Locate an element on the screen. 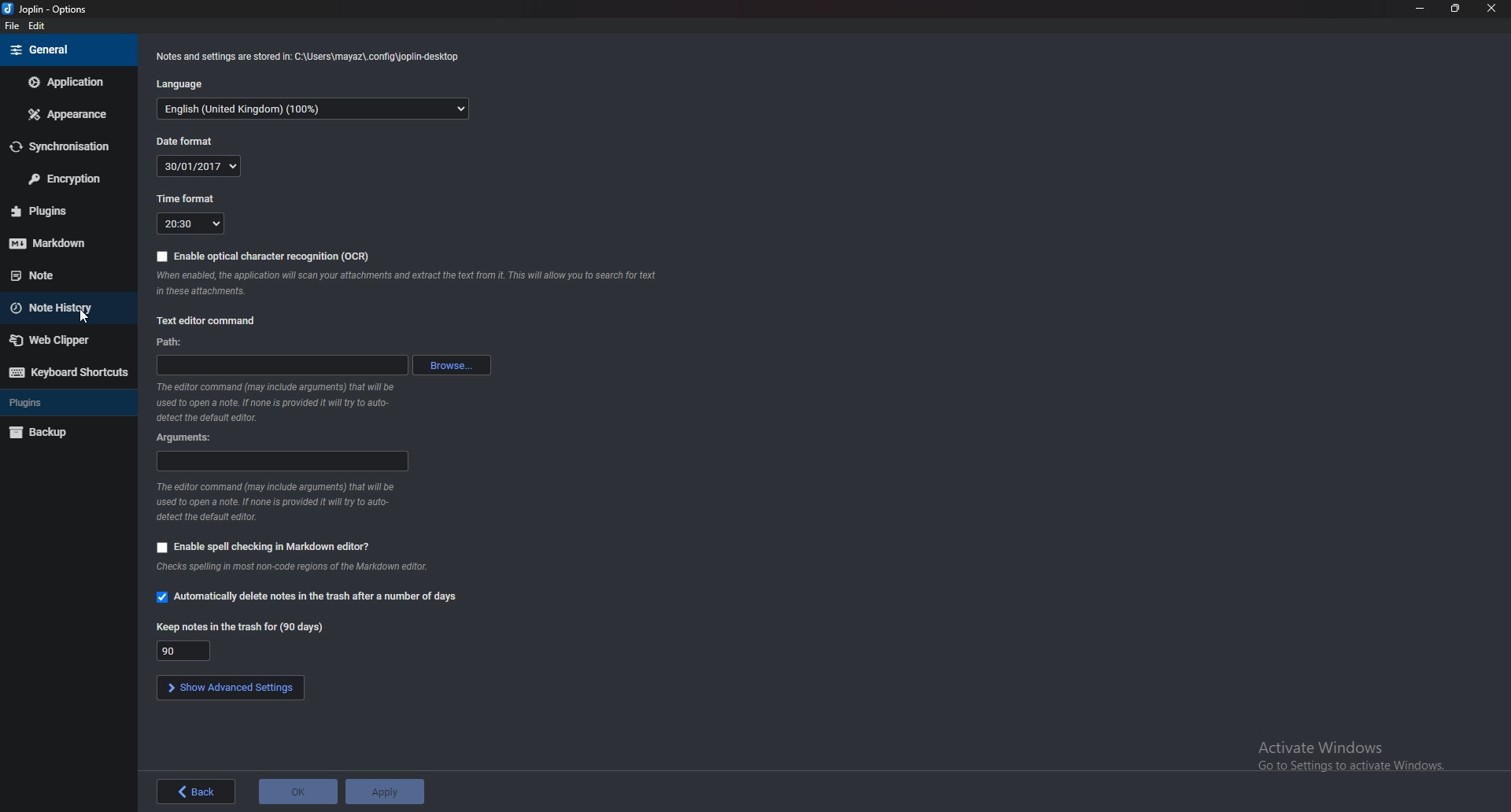 The width and height of the screenshot is (1511, 812). Note is located at coordinates (60, 274).